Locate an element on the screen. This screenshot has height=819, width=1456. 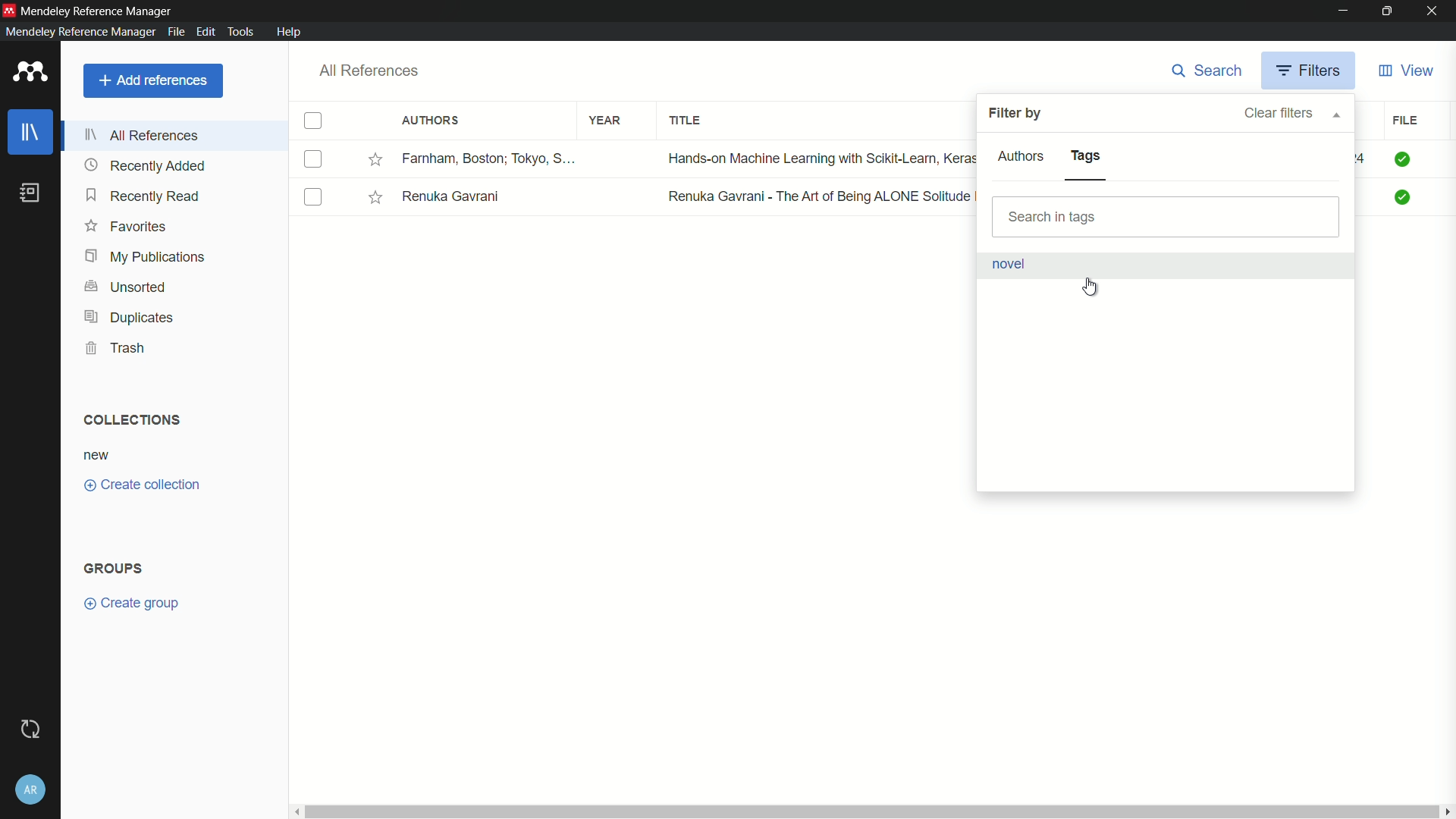
search in tags is located at coordinates (1166, 217).